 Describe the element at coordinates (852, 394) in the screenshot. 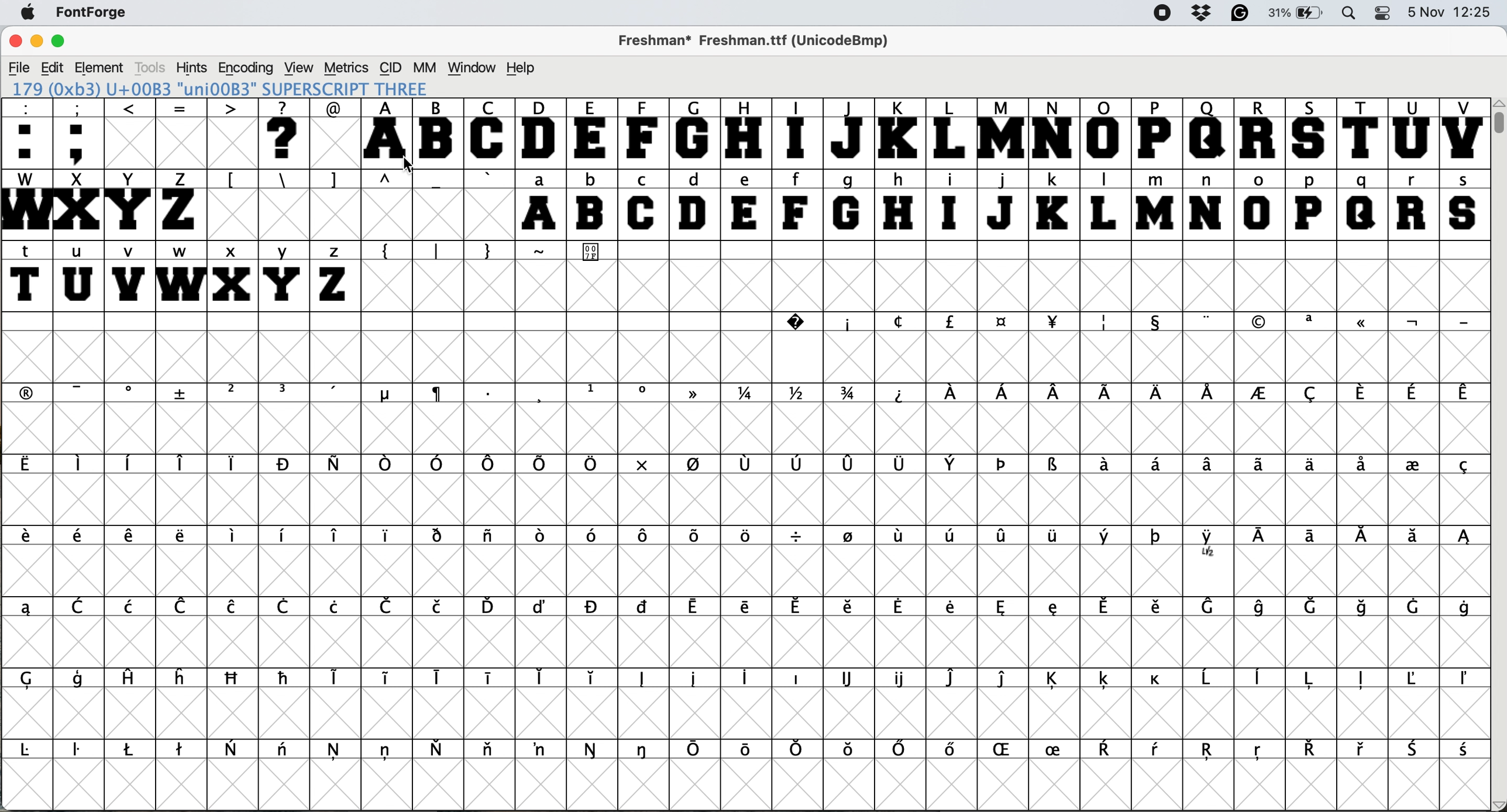

I see `3/4` at that location.